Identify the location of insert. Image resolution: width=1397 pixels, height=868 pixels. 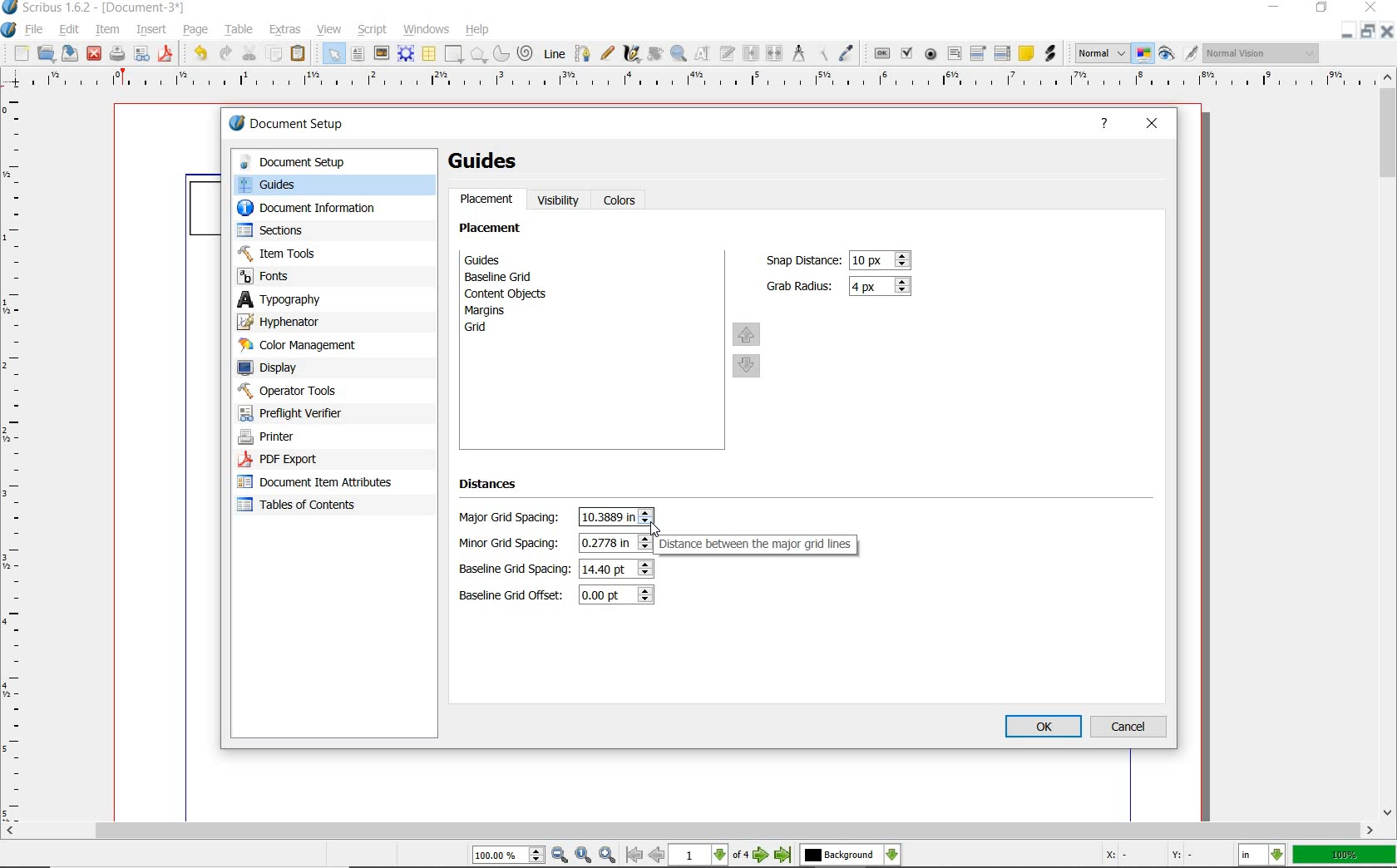
(151, 28).